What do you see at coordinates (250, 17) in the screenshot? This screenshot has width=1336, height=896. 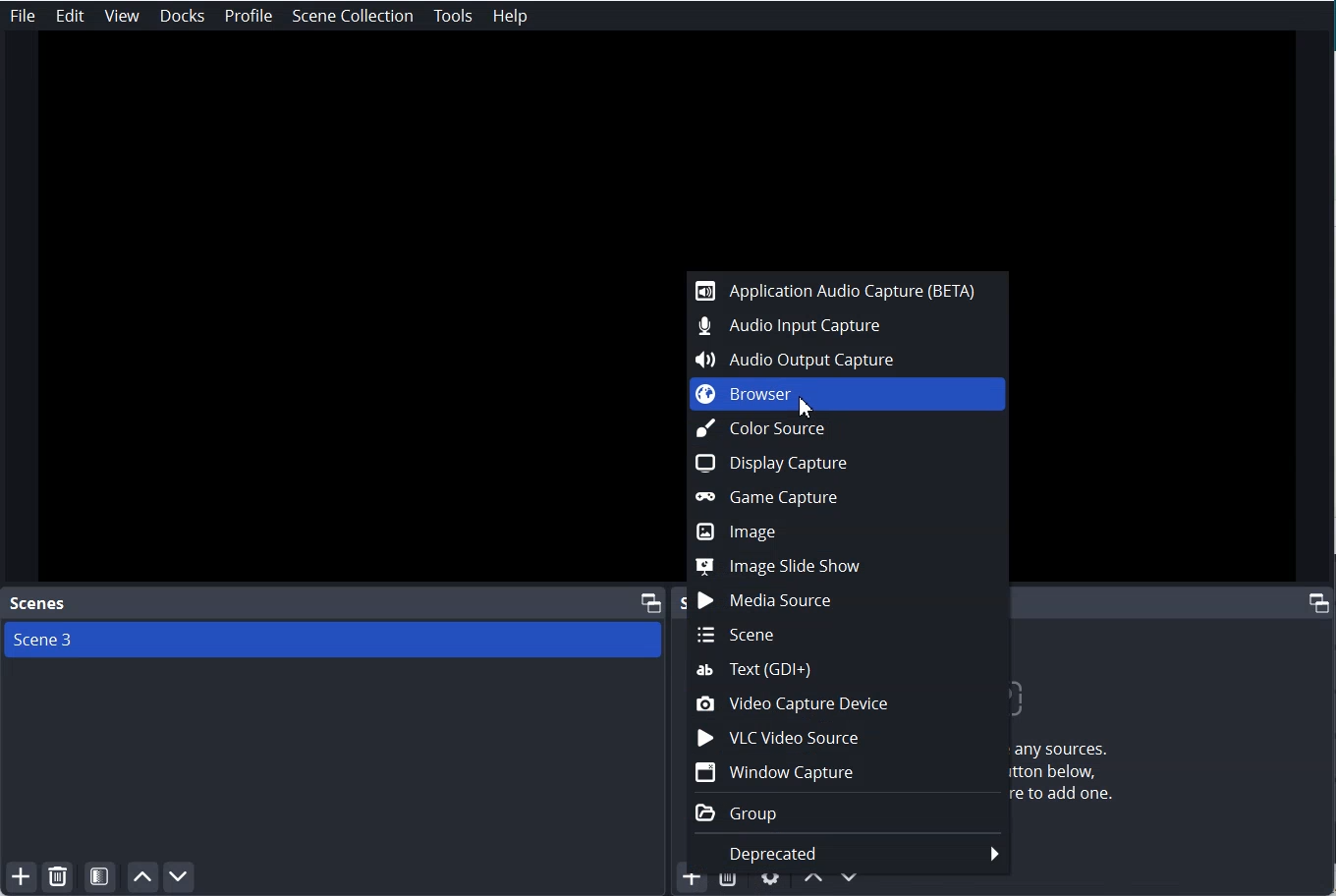 I see `Profile` at bounding box center [250, 17].